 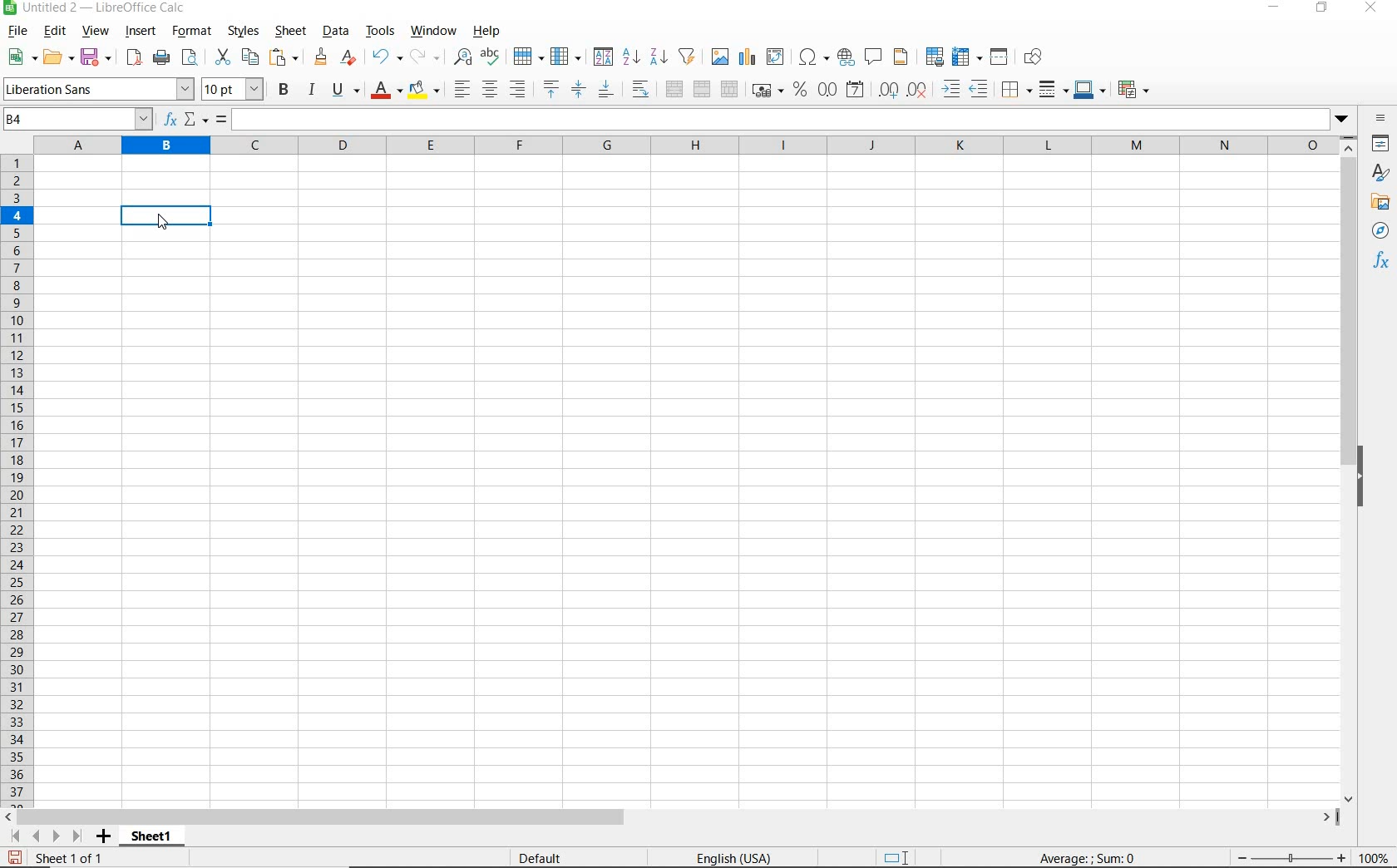 I want to click on print, so click(x=162, y=57).